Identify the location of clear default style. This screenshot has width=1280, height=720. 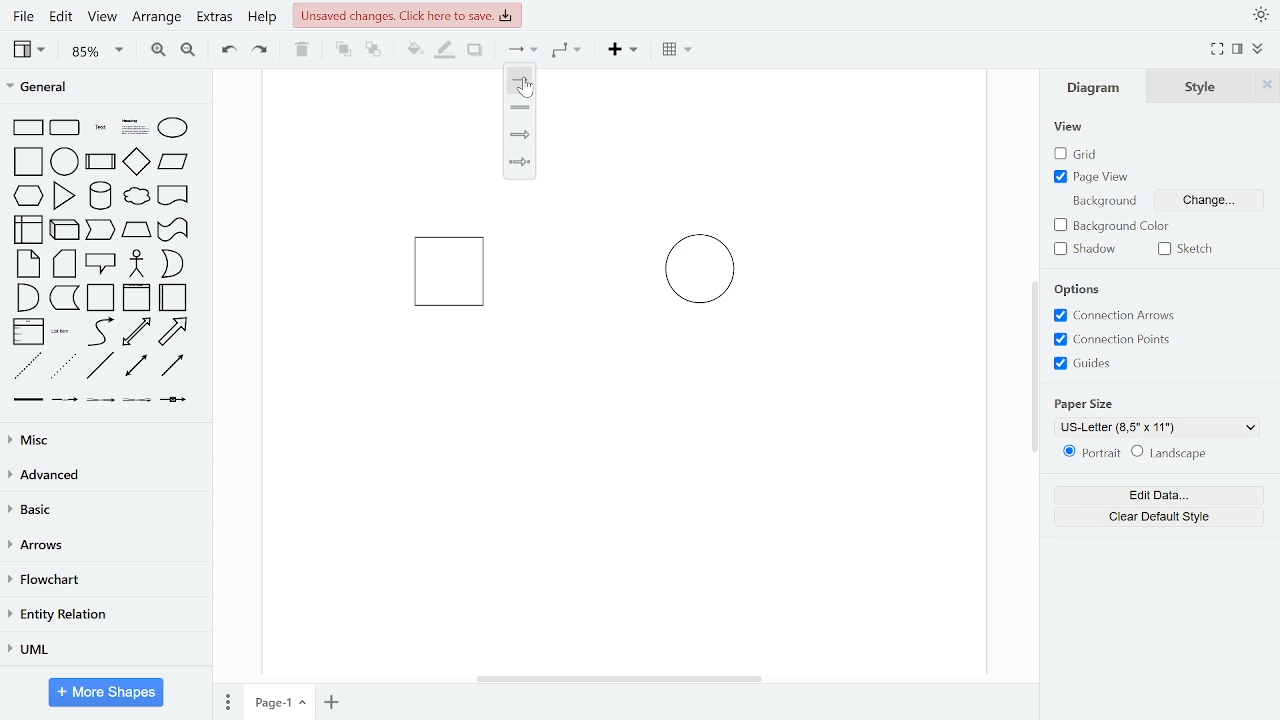
(1169, 454).